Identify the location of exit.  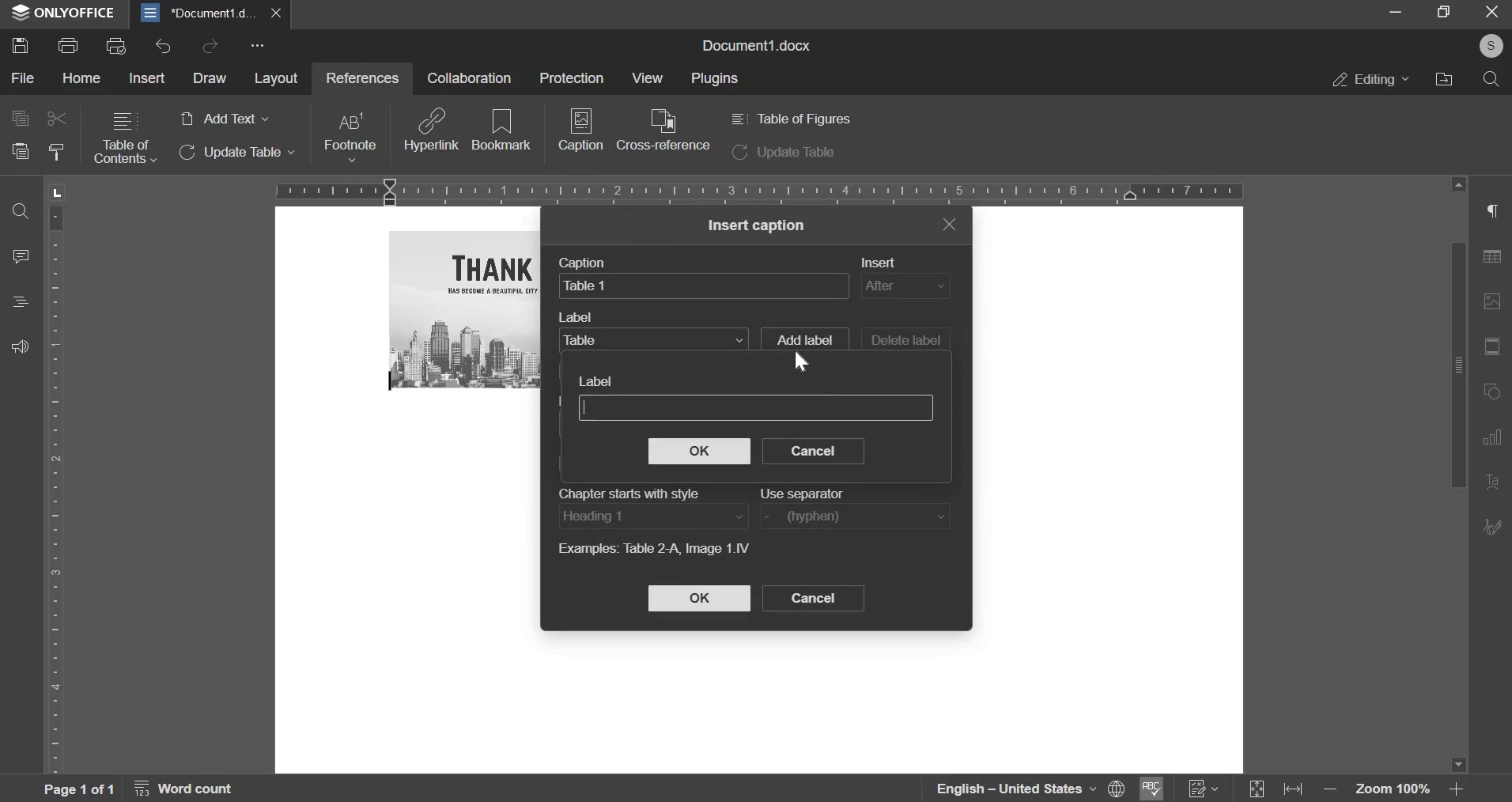
(1493, 13).